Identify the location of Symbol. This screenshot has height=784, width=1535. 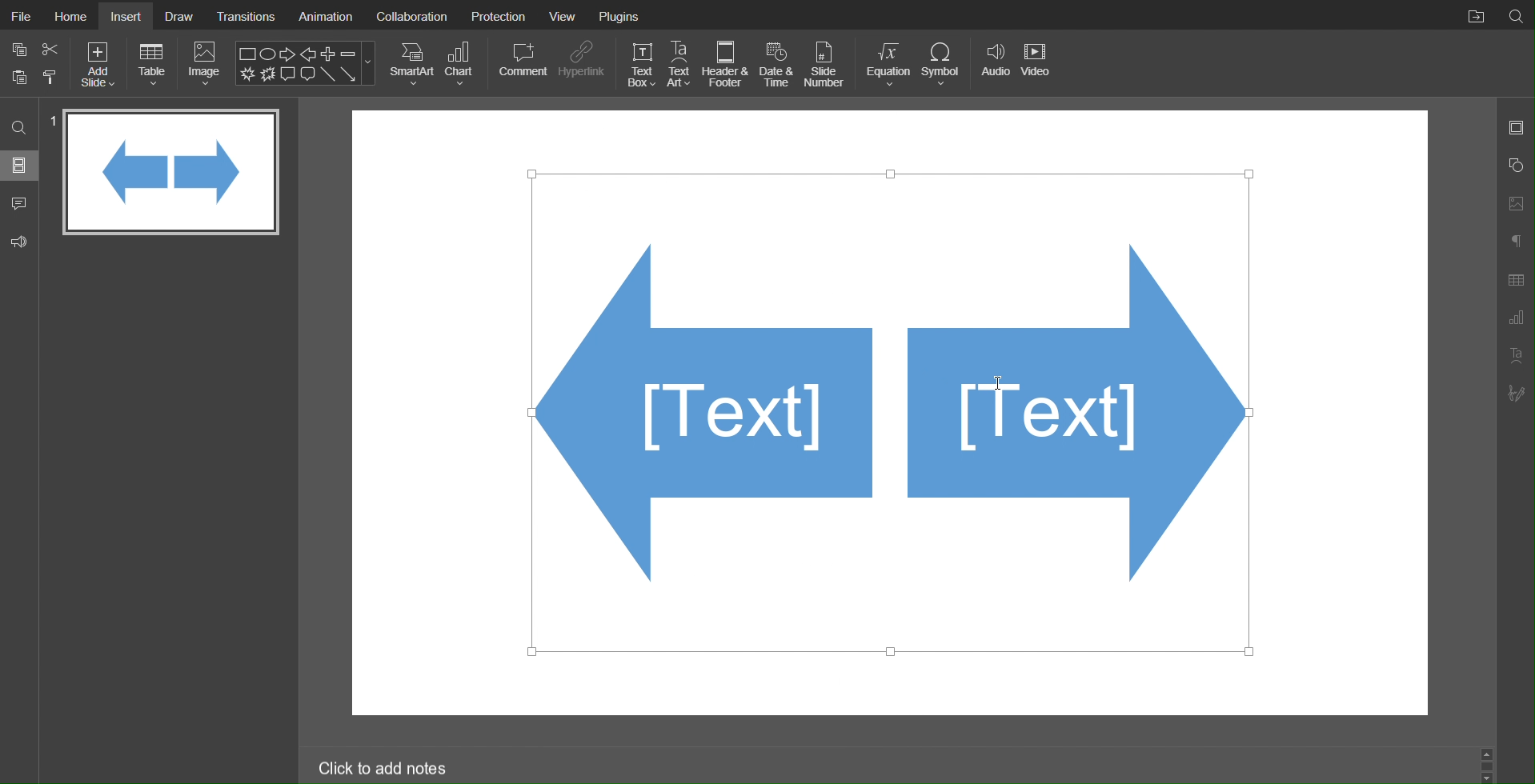
(941, 63).